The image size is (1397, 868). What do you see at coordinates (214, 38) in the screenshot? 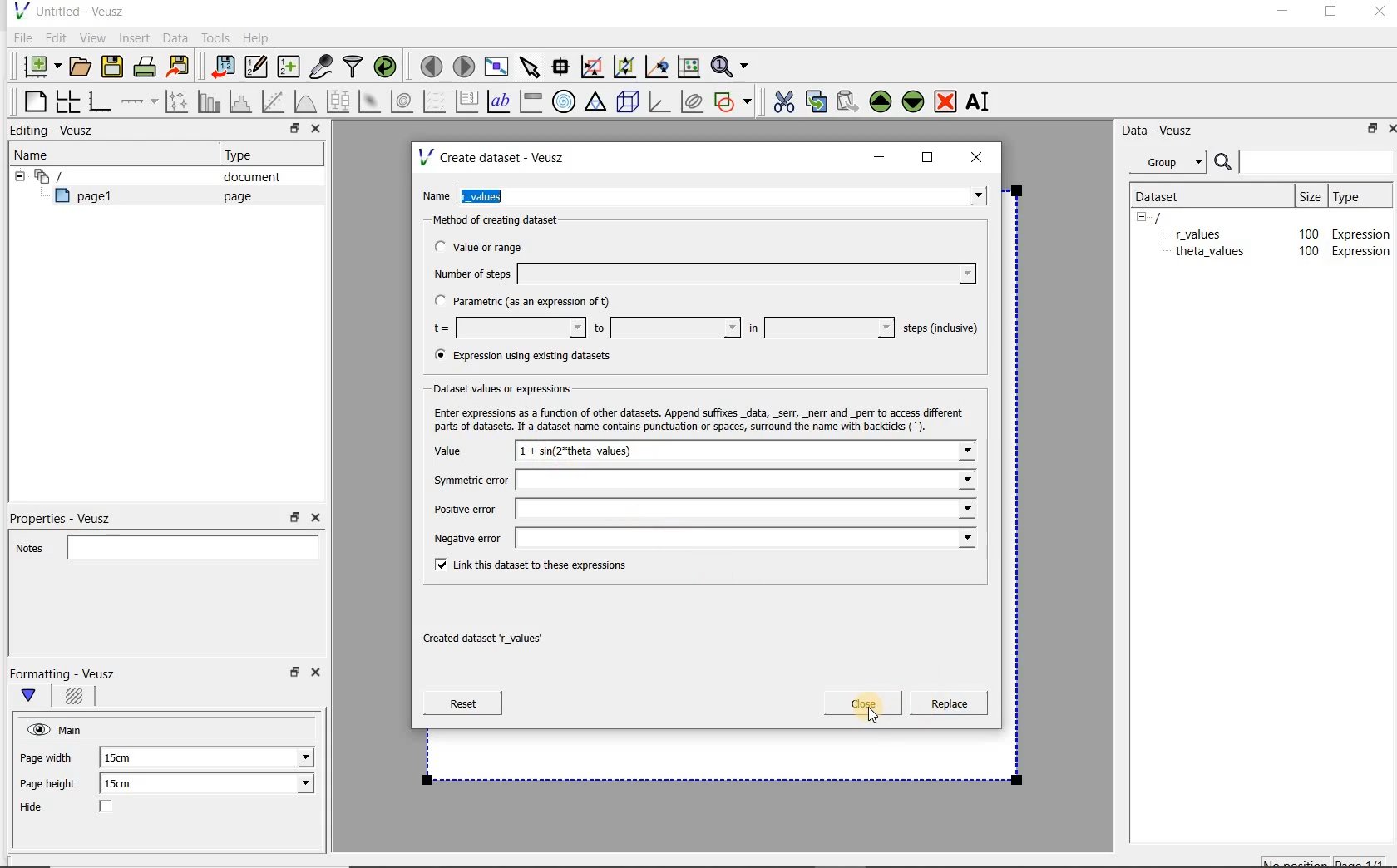
I see `Tools` at bounding box center [214, 38].